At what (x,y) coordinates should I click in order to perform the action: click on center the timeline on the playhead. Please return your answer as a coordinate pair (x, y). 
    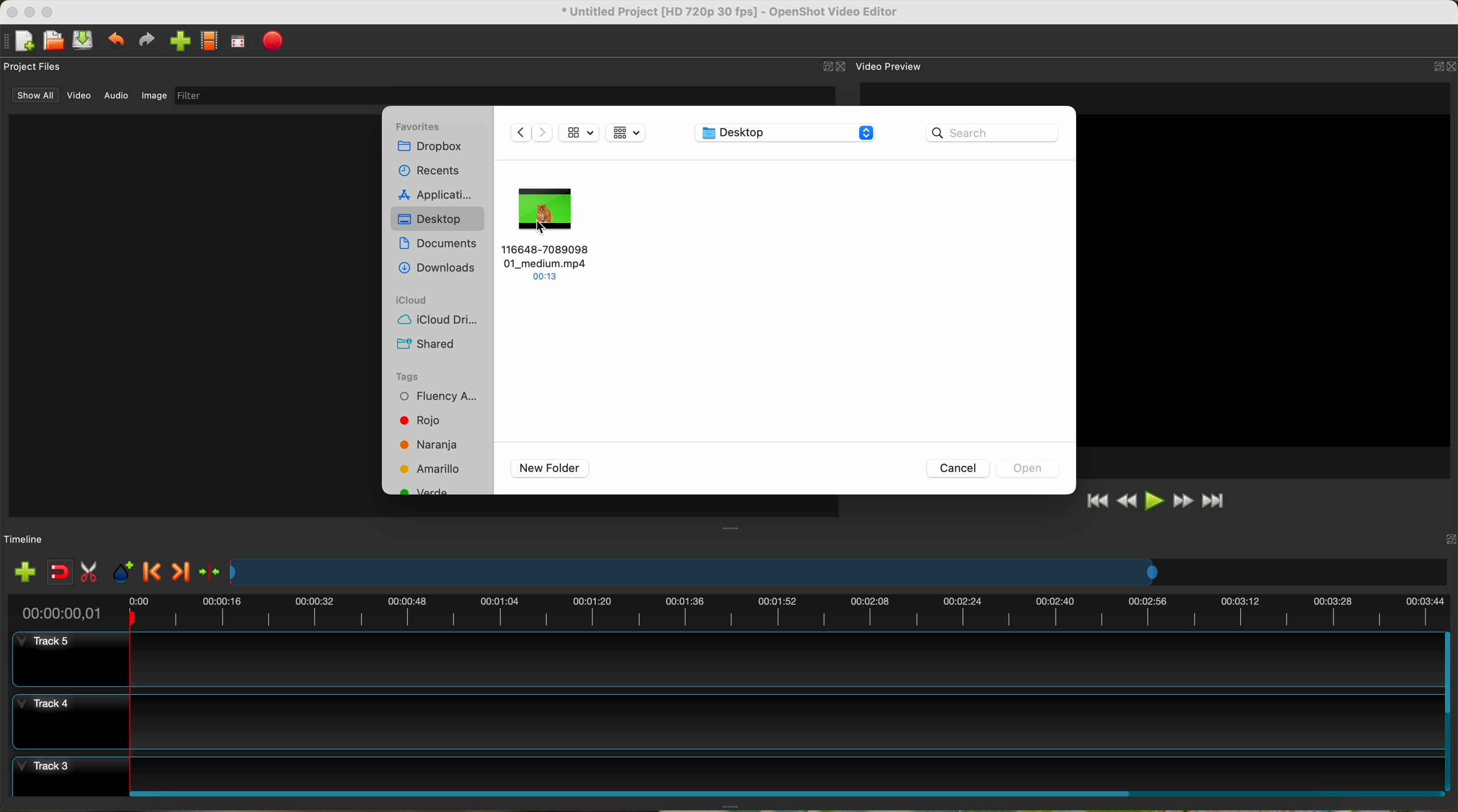
    Looking at the image, I should click on (211, 573).